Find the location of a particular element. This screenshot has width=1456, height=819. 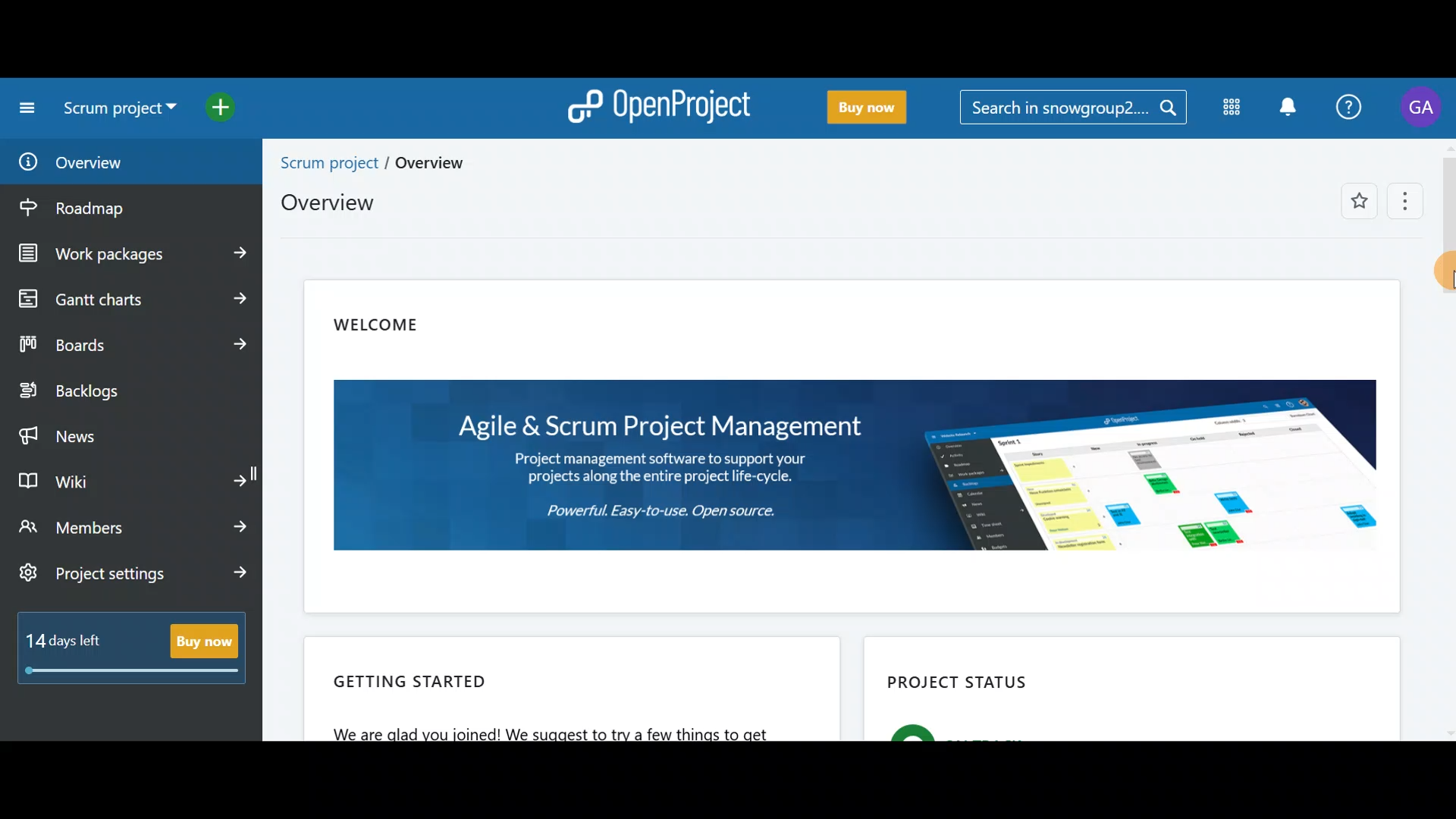

Notification centre is located at coordinates (1284, 106).